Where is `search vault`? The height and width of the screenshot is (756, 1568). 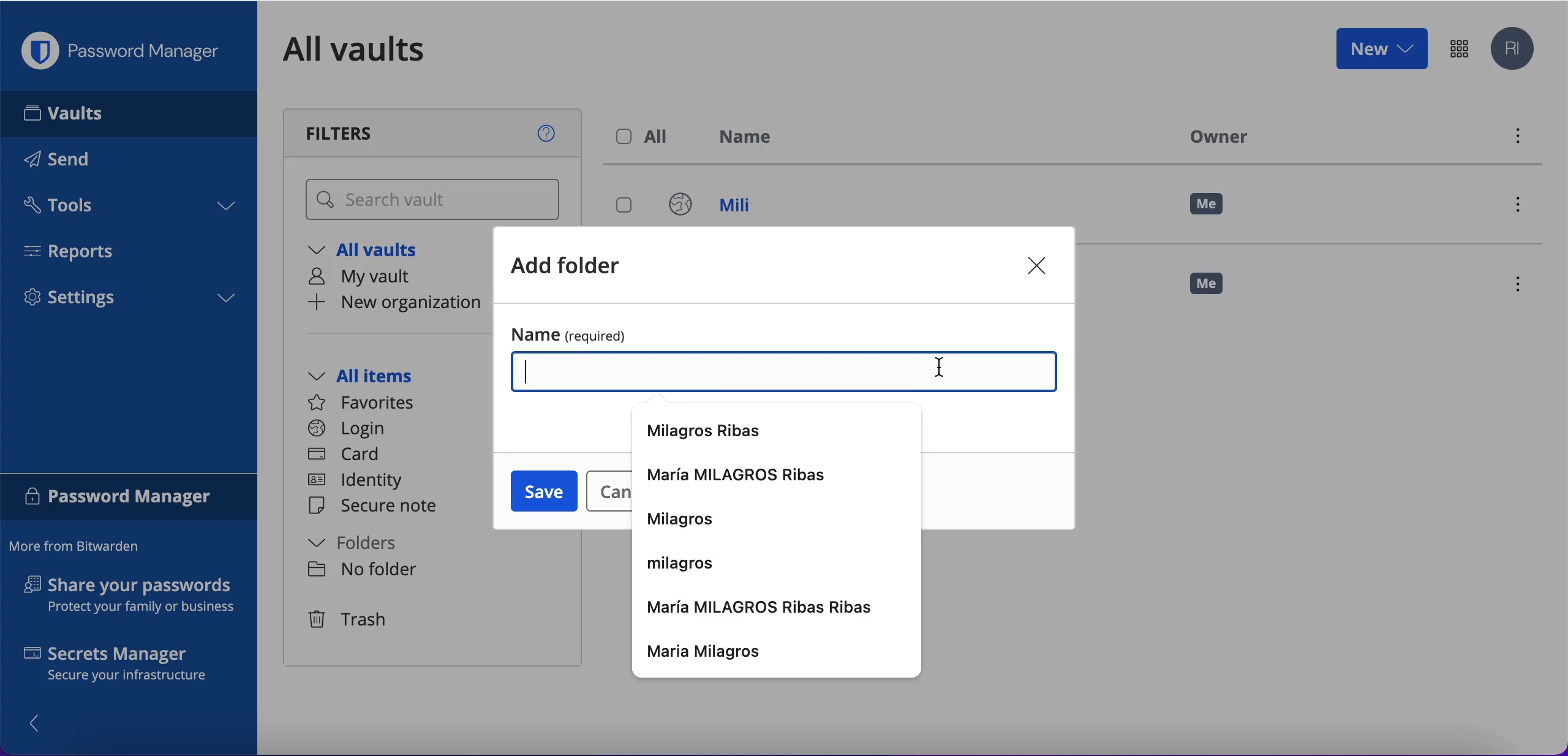 search vault is located at coordinates (435, 200).